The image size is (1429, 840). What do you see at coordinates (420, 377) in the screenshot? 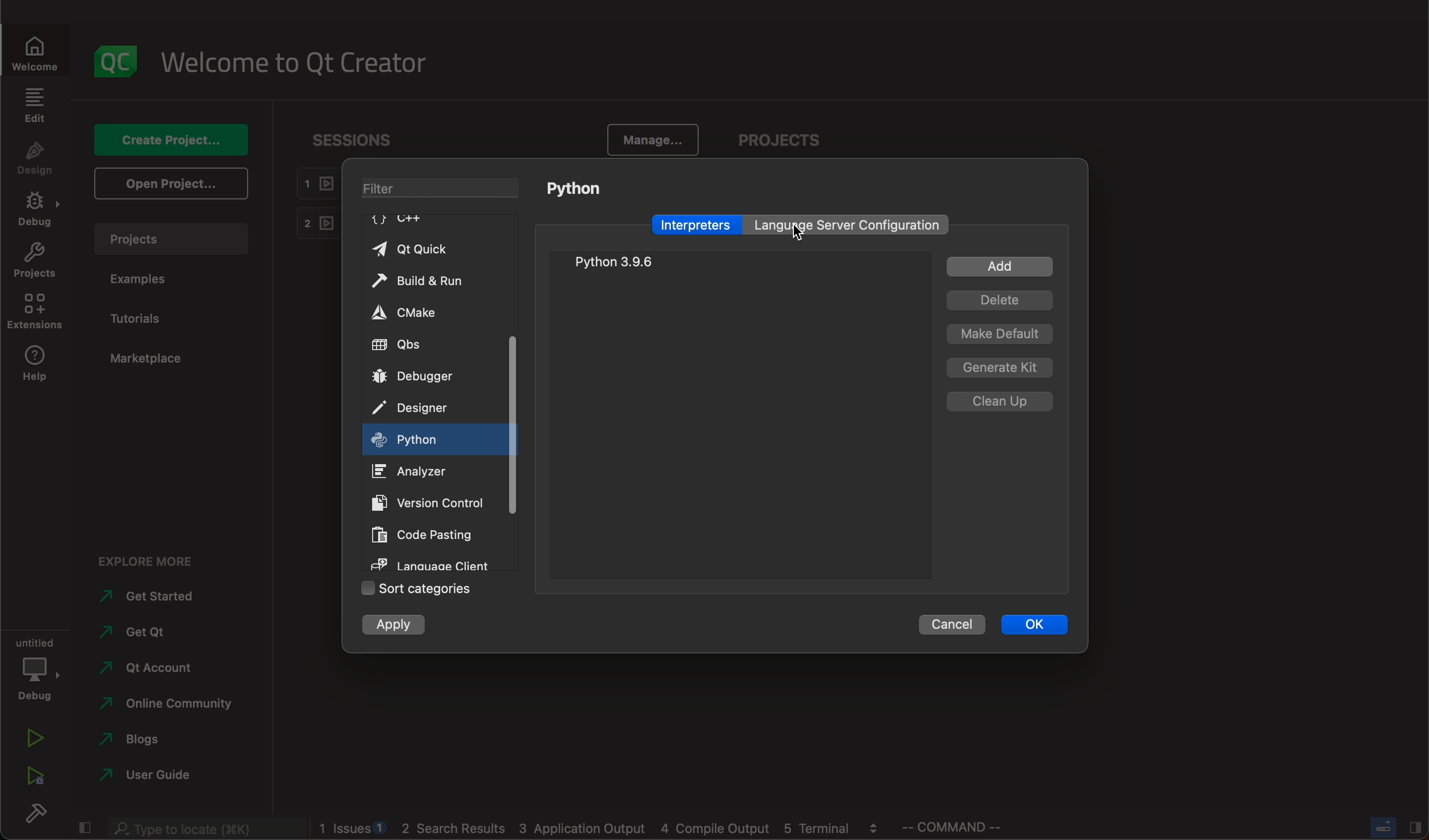
I see `debugger` at bounding box center [420, 377].